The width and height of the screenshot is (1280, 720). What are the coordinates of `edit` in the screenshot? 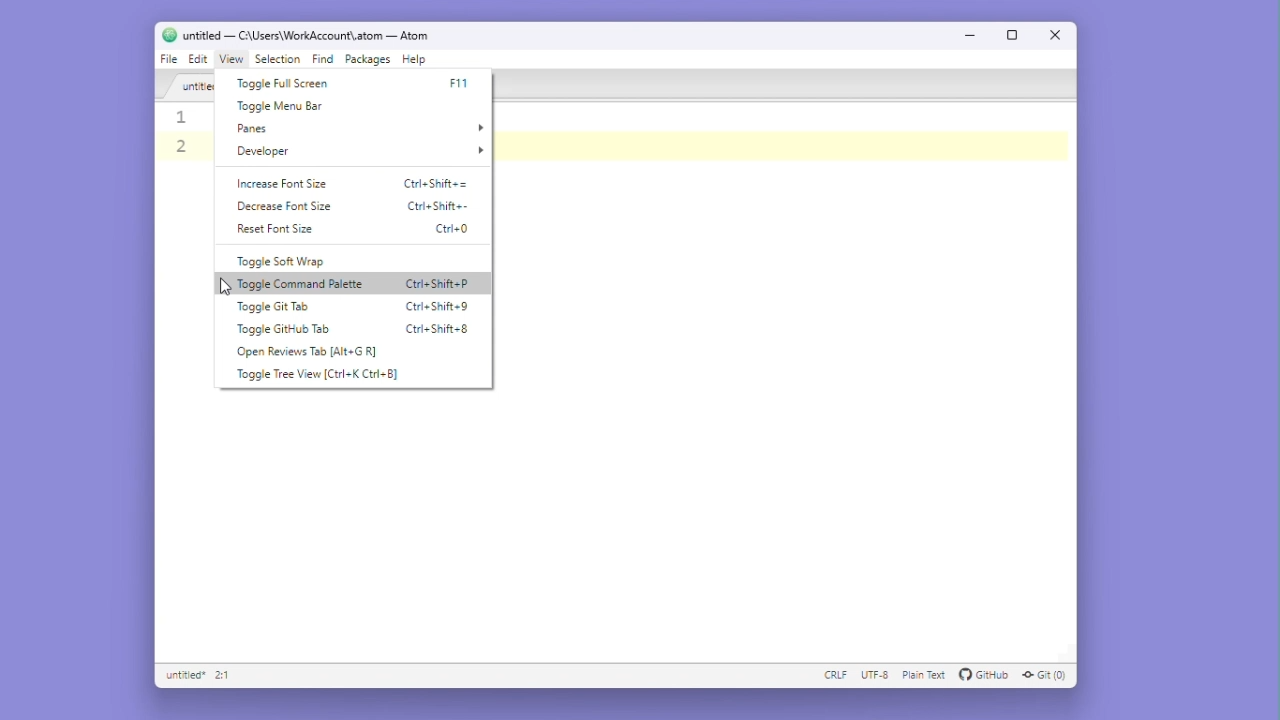 It's located at (199, 60).